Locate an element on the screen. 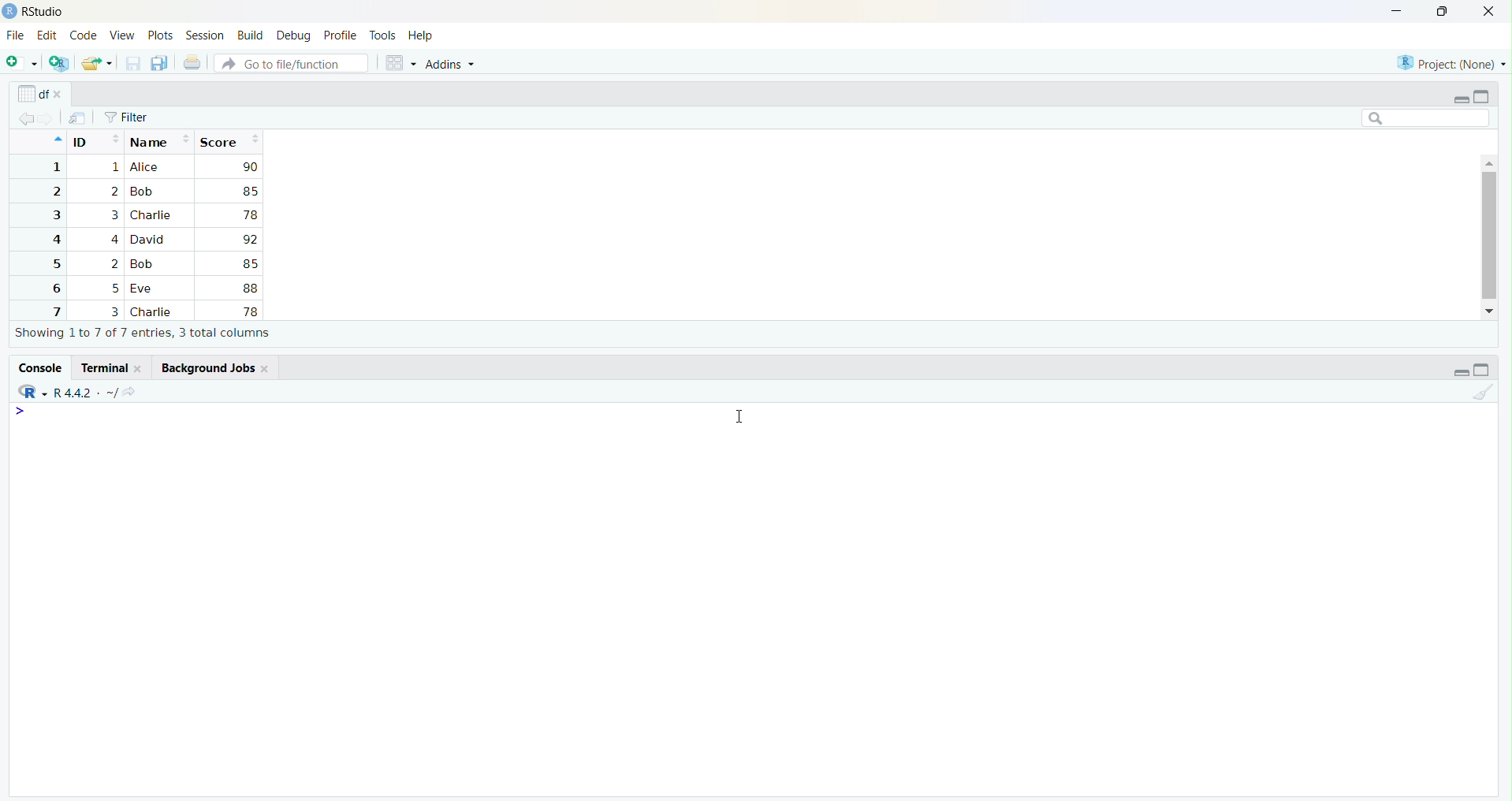  85 is located at coordinates (249, 263).